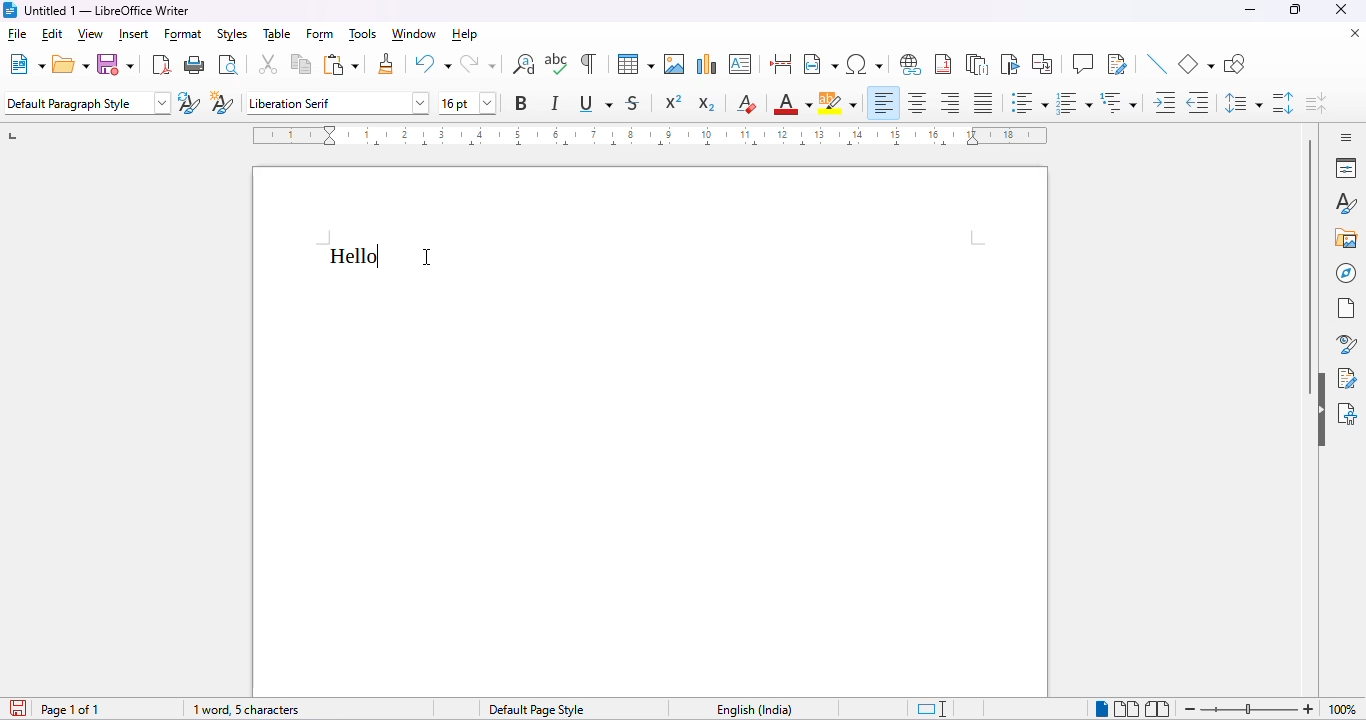 The height and width of the screenshot is (720, 1366). I want to click on insert line, so click(1158, 65).